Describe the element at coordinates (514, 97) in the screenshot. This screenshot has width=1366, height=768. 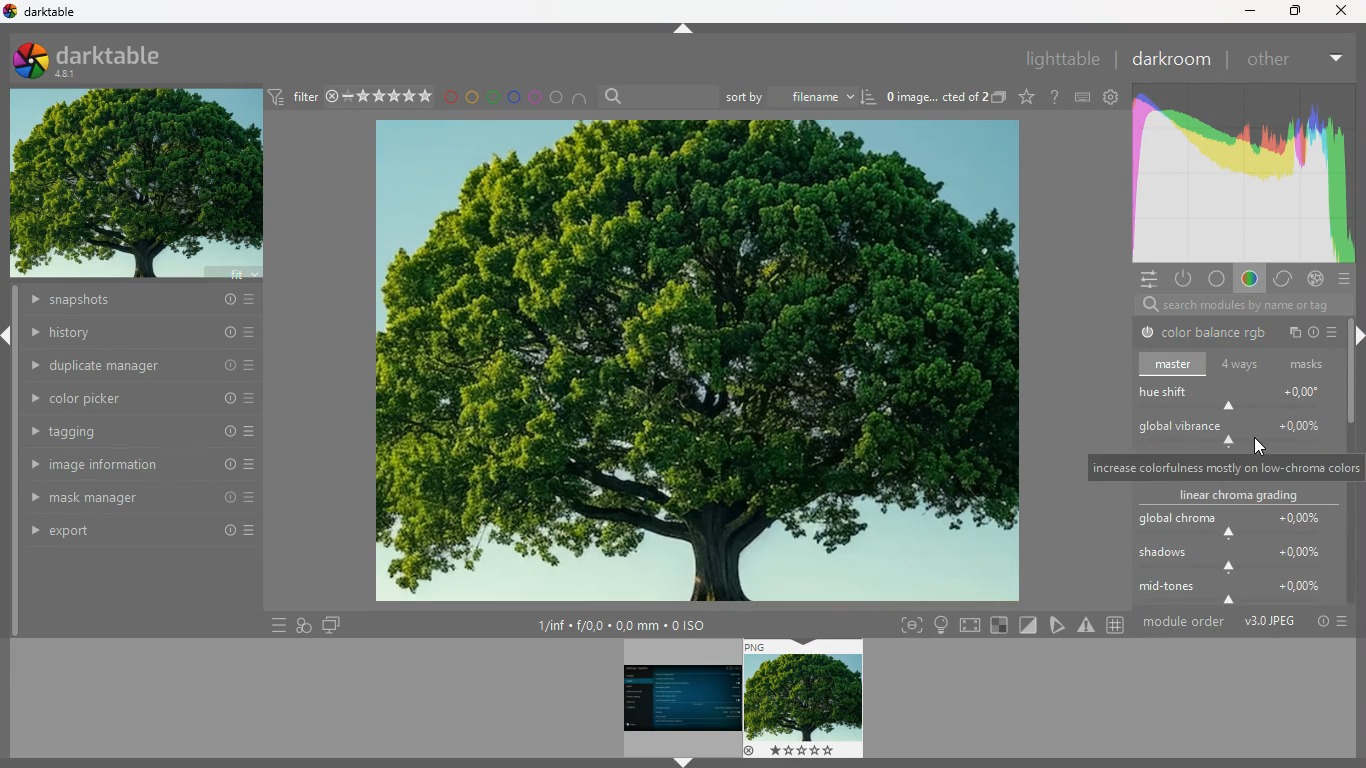
I see `blue` at that location.